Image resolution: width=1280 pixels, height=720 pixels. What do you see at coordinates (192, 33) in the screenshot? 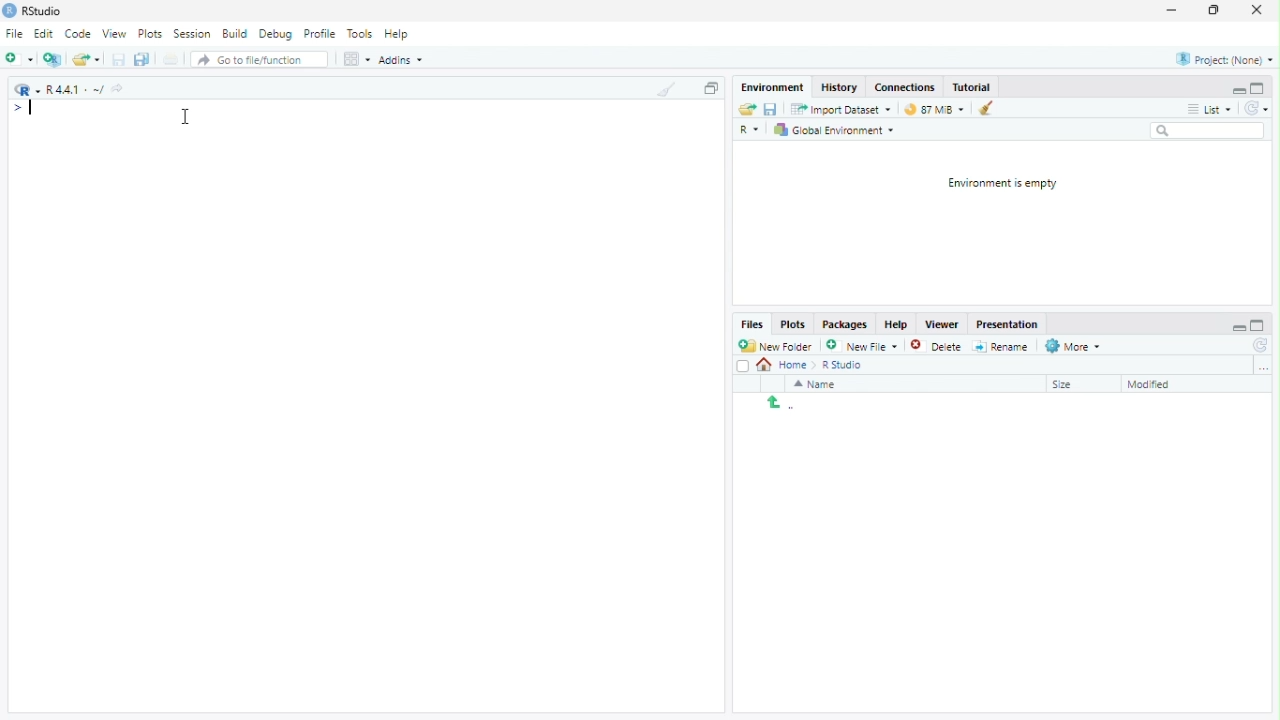
I see `Session` at bounding box center [192, 33].